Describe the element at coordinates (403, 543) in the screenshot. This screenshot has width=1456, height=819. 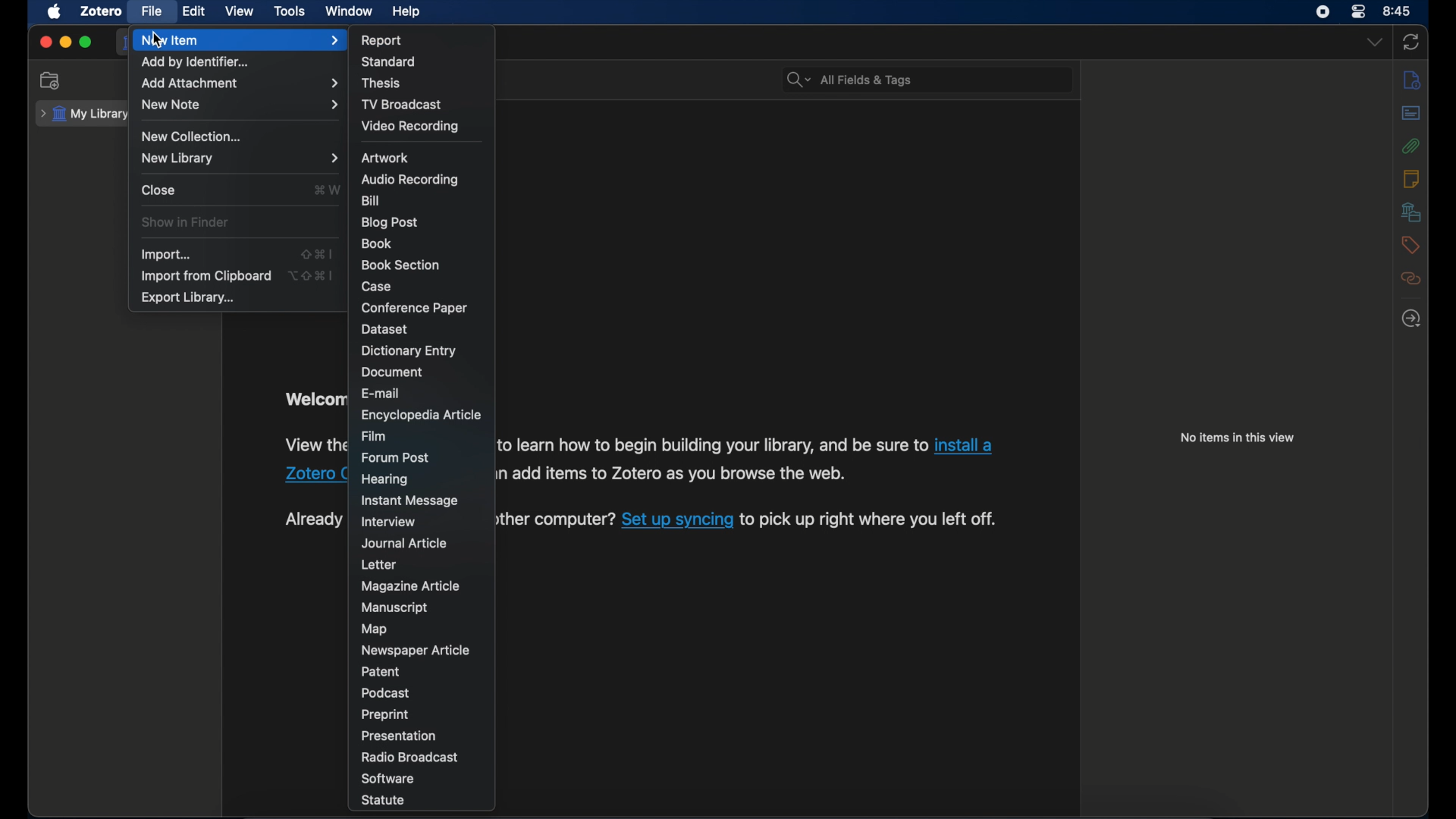
I see `journal article` at that location.